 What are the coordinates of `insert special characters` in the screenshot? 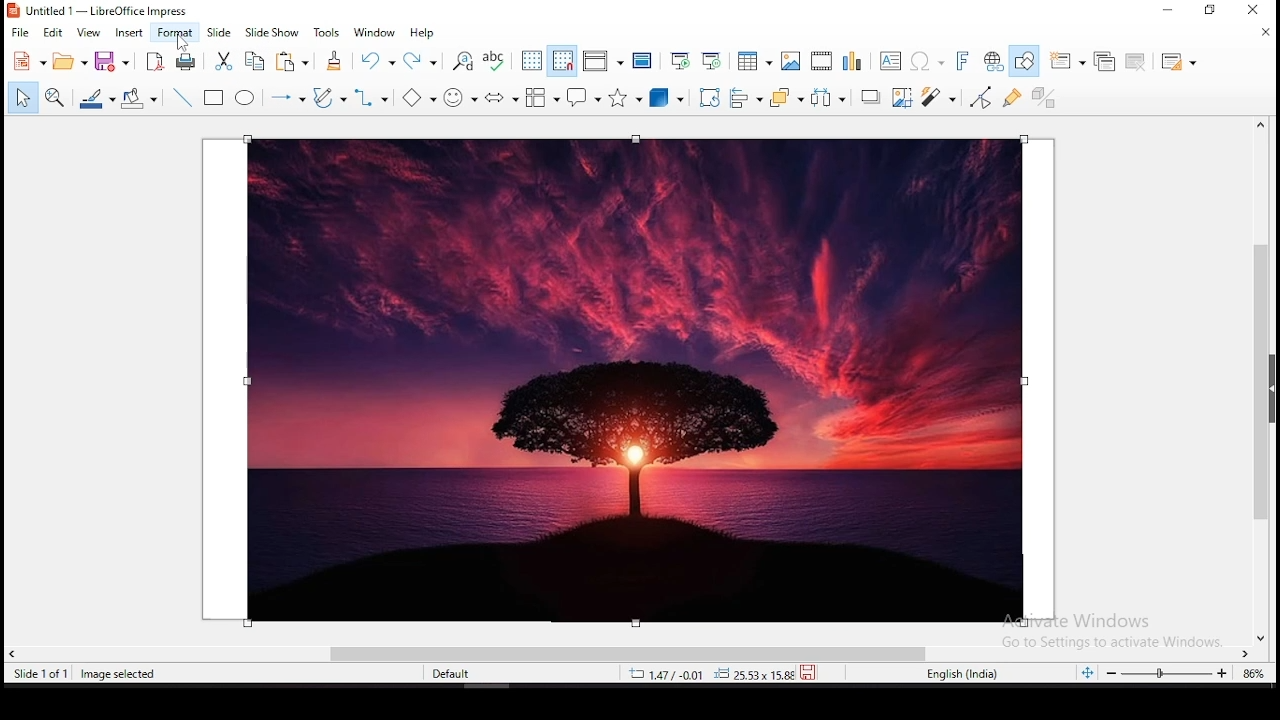 It's located at (925, 61).